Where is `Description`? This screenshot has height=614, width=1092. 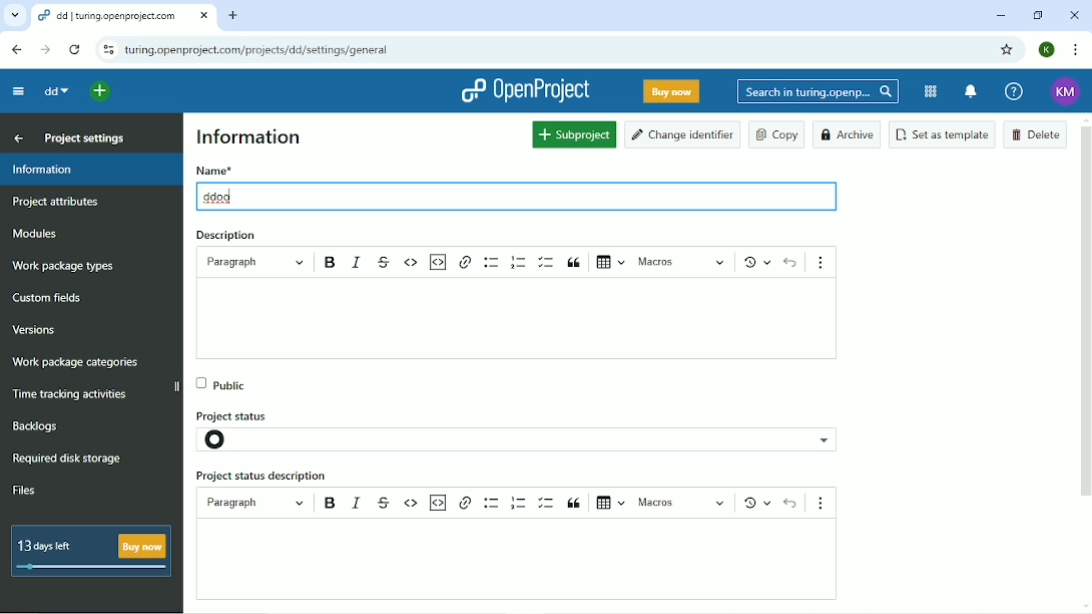
Description is located at coordinates (225, 236).